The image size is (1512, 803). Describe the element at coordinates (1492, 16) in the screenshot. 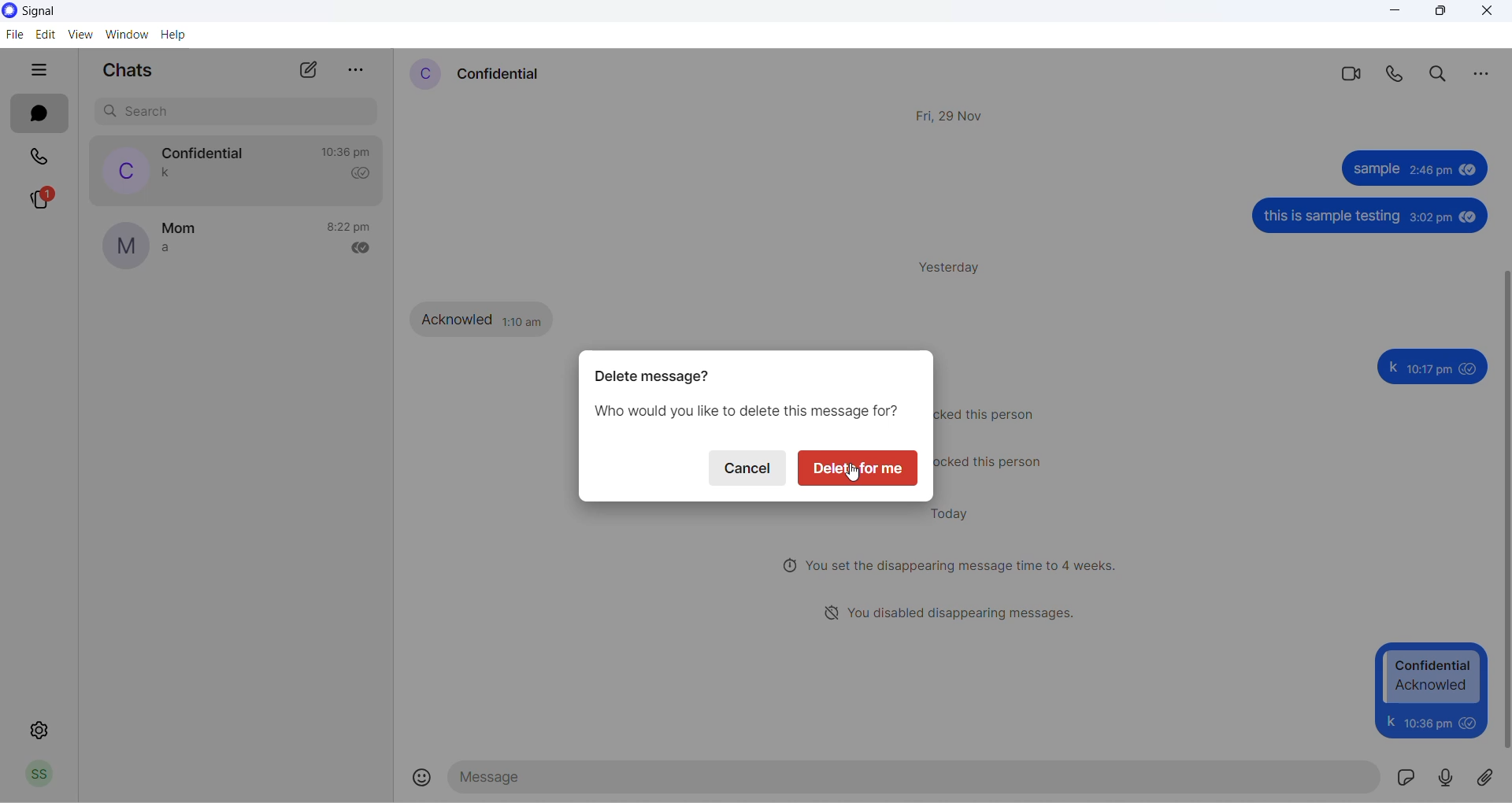

I see `close` at that location.